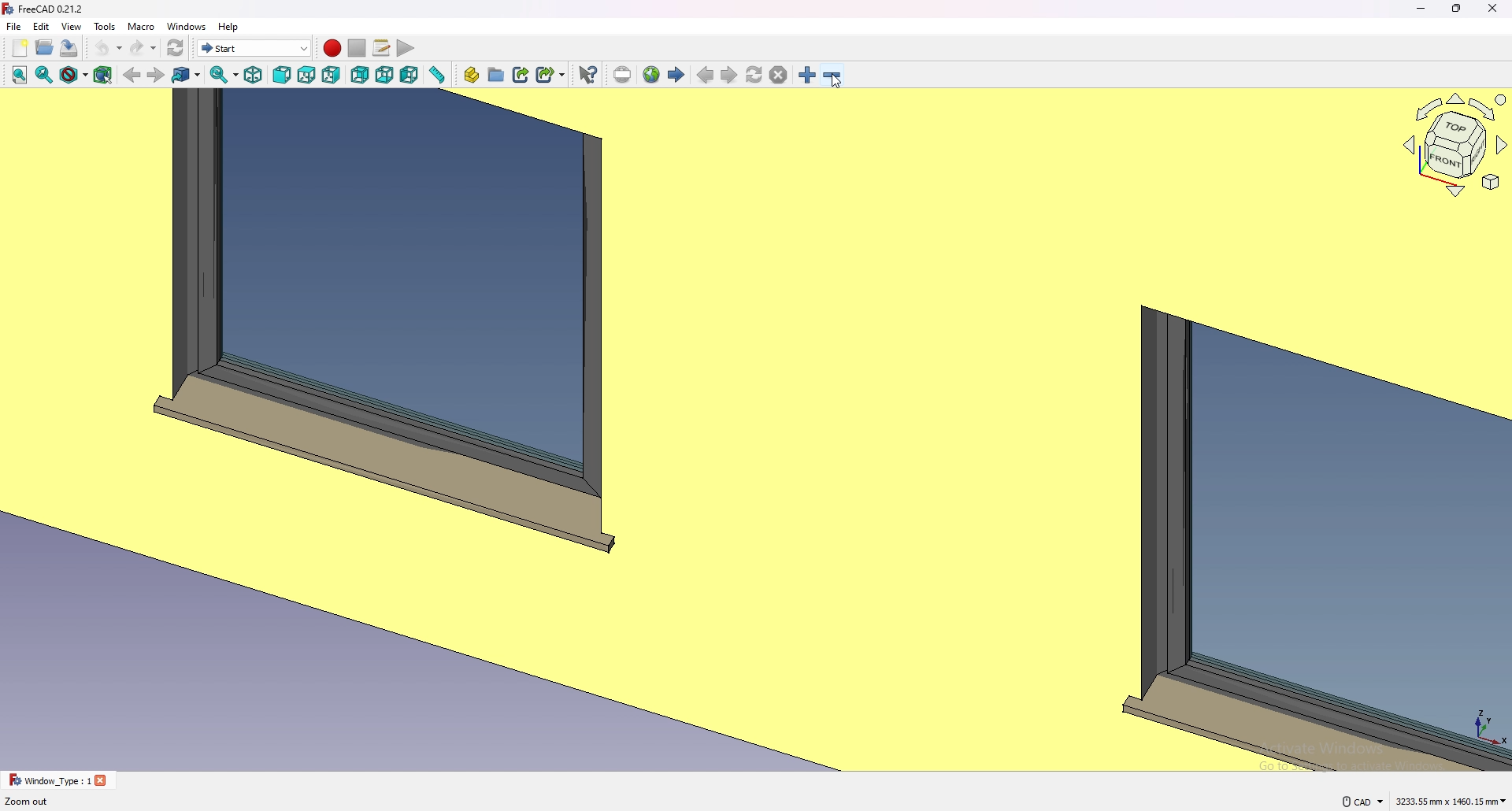 The image size is (1512, 811). I want to click on start page, so click(676, 73).